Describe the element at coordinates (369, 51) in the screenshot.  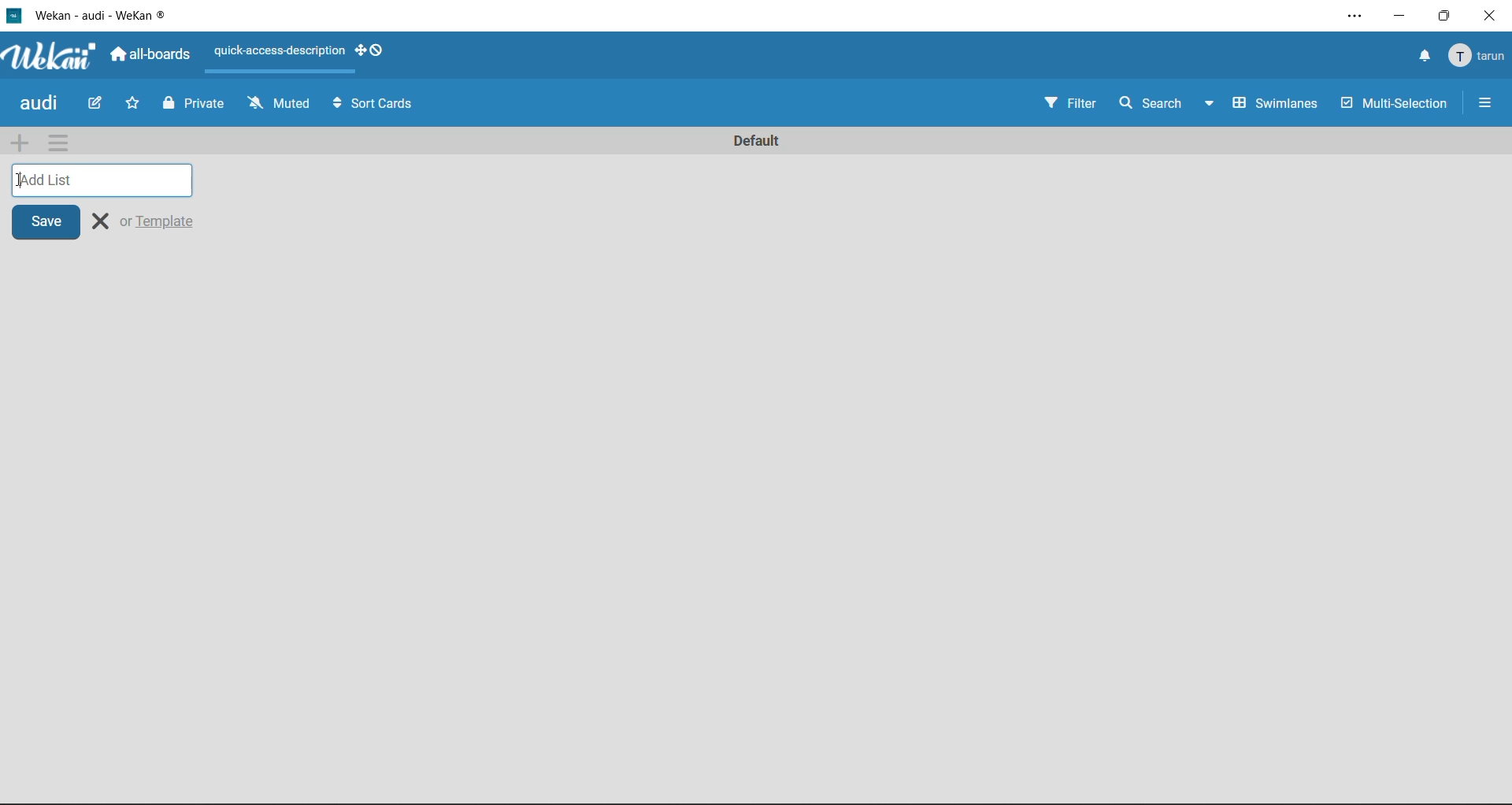
I see `show desktop drag handles` at that location.